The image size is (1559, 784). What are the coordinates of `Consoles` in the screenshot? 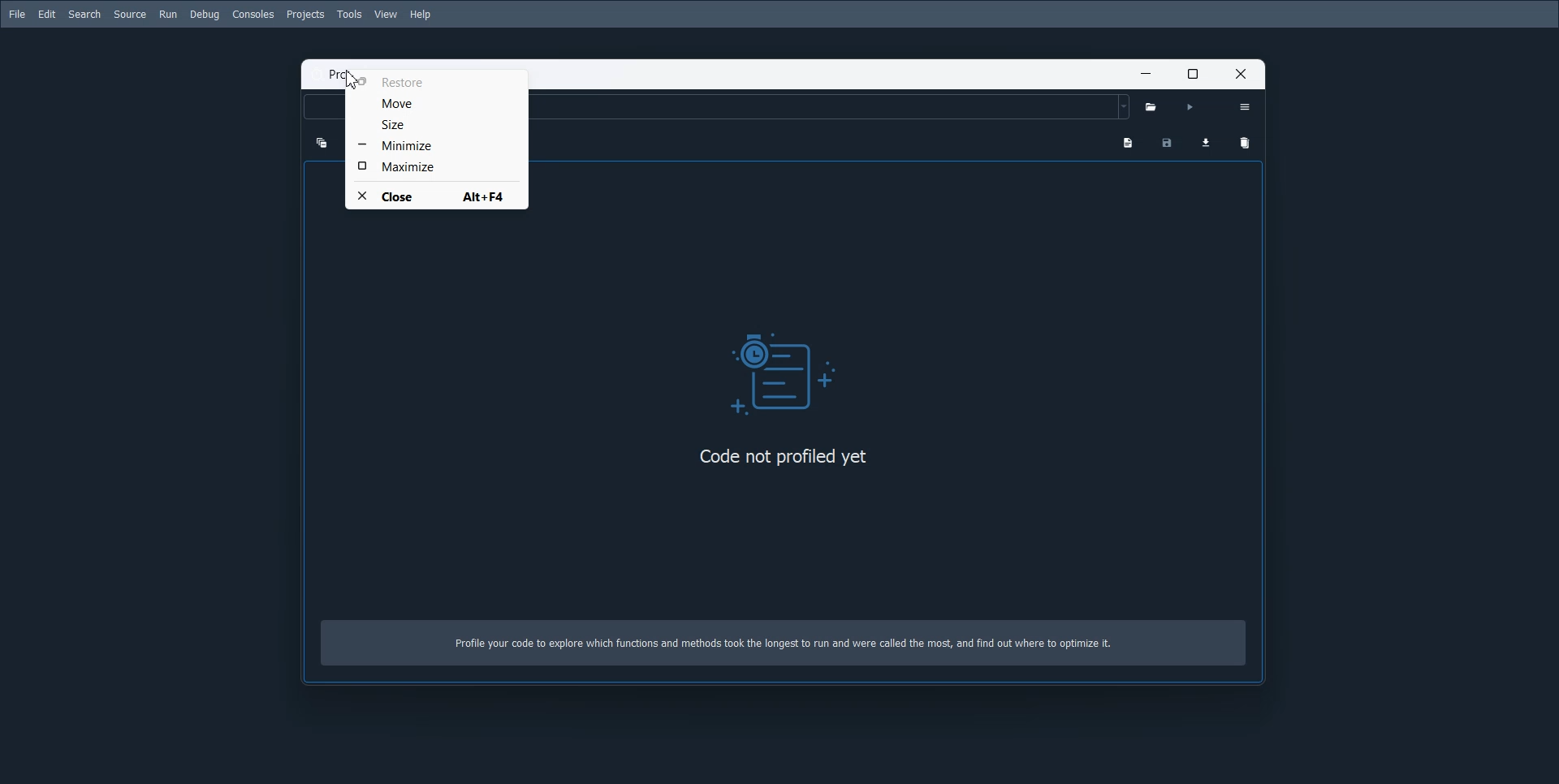 It's located at (253, 15).